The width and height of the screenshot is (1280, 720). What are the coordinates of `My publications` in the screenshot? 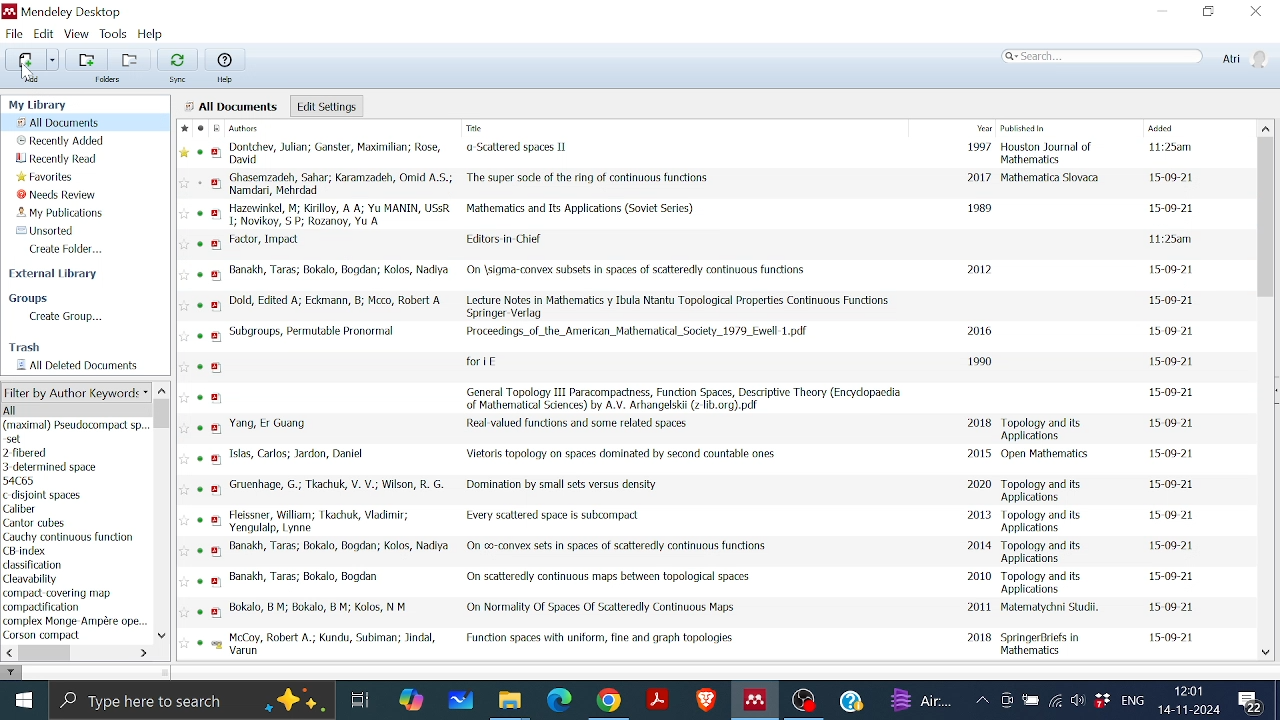 It's located at (68, 213).